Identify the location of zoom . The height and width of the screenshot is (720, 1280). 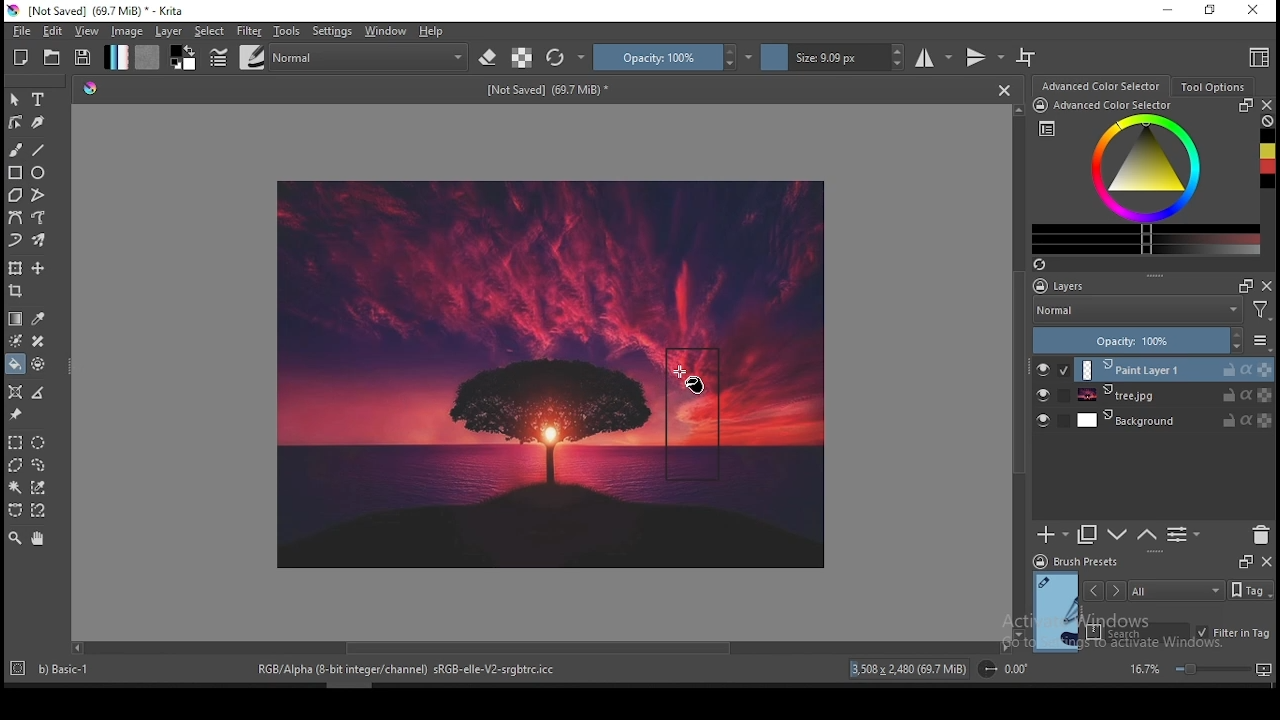
(1199, 669).